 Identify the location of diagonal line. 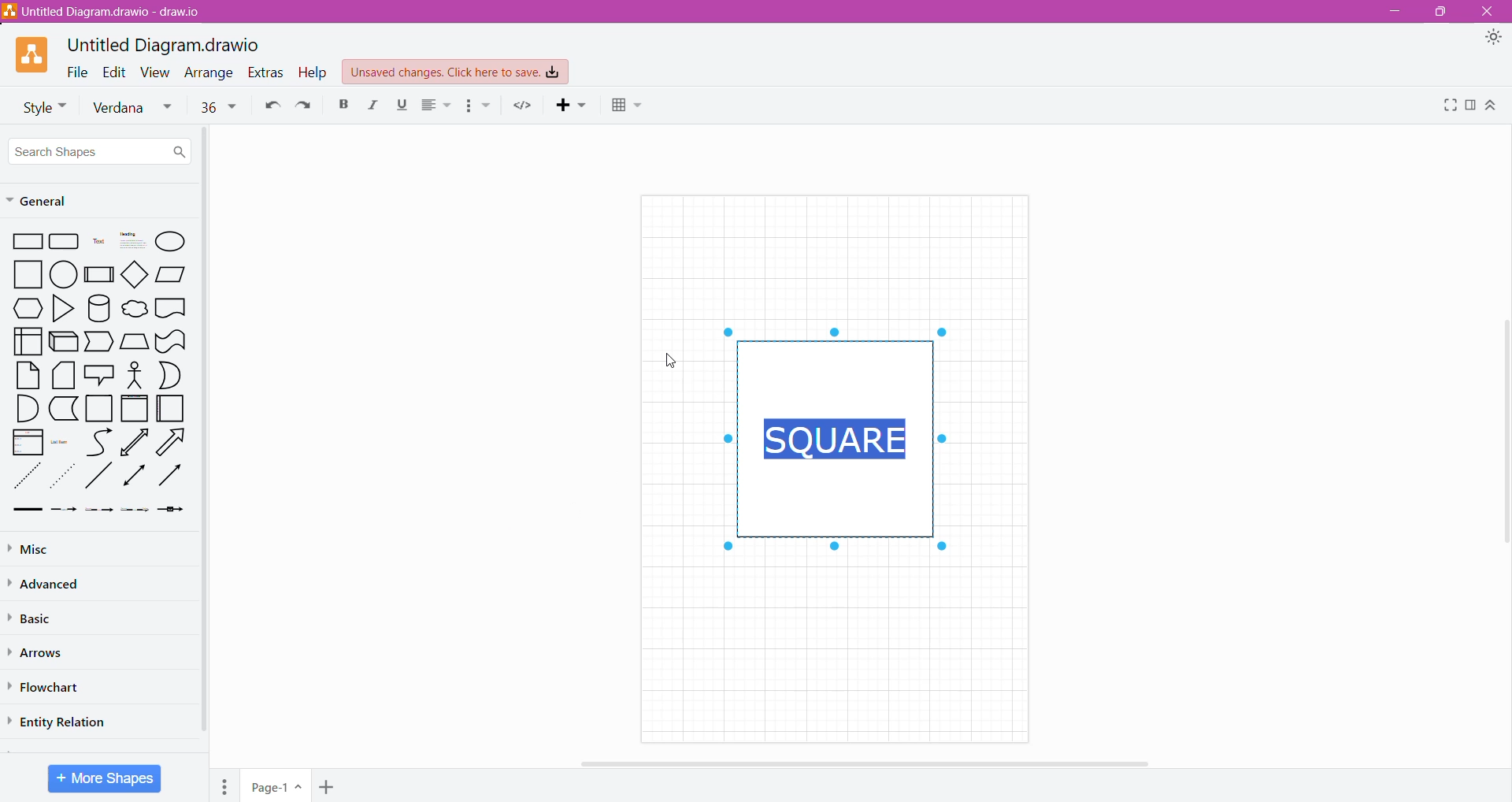
(98, 477).